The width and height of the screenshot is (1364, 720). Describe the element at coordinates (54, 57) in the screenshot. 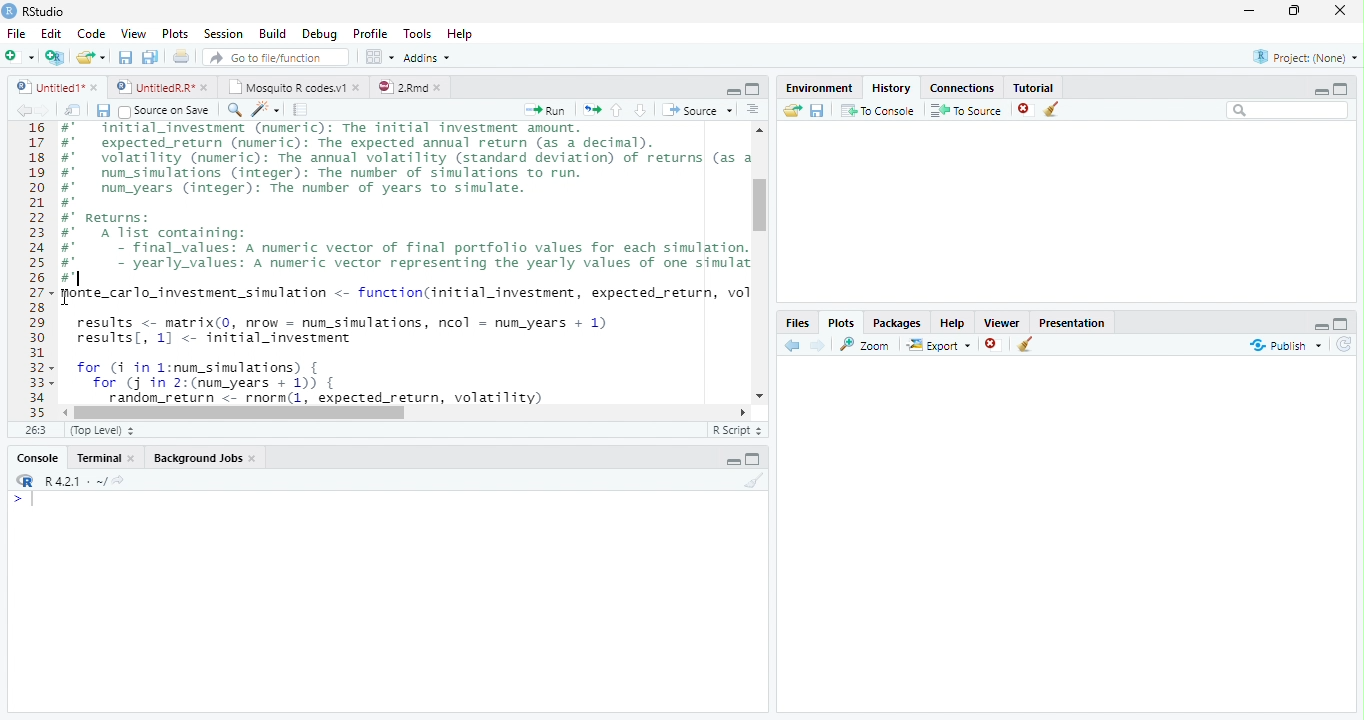

I see `Create project` at that location.